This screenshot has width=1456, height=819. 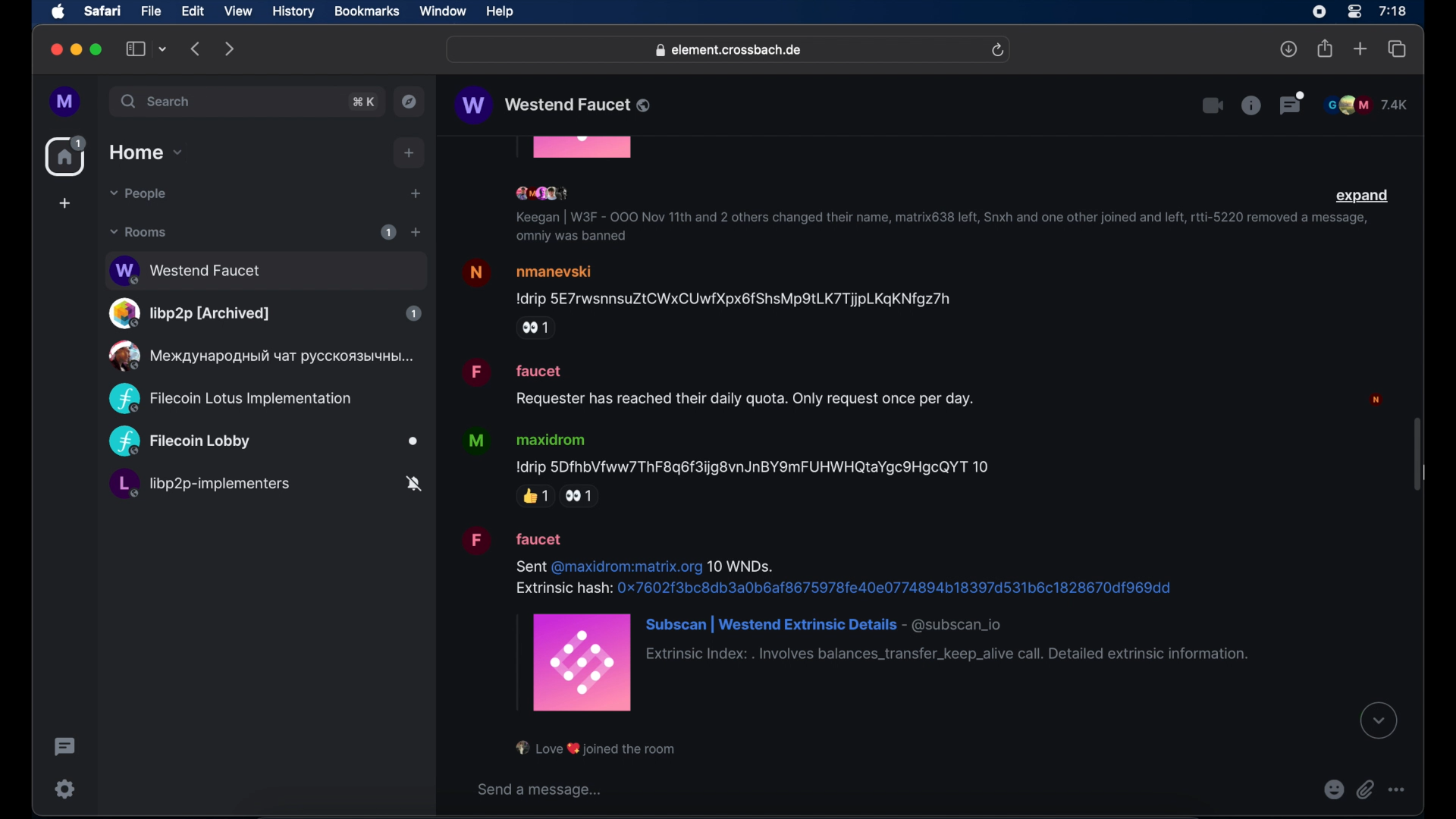 I want to click on history, so click(x=293, y=12).